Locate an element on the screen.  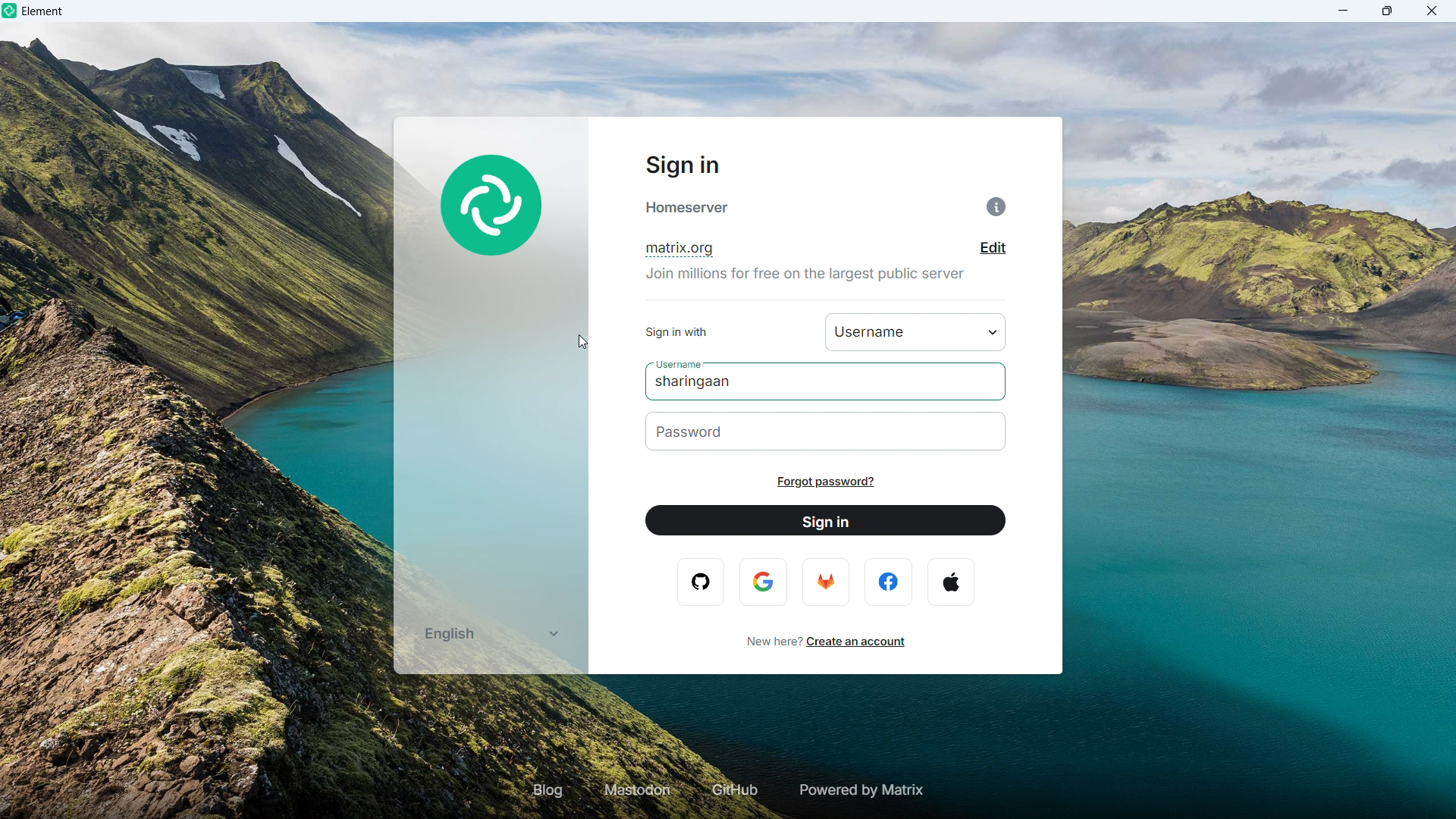
Forgot password  is located at coordinates (825, 482).